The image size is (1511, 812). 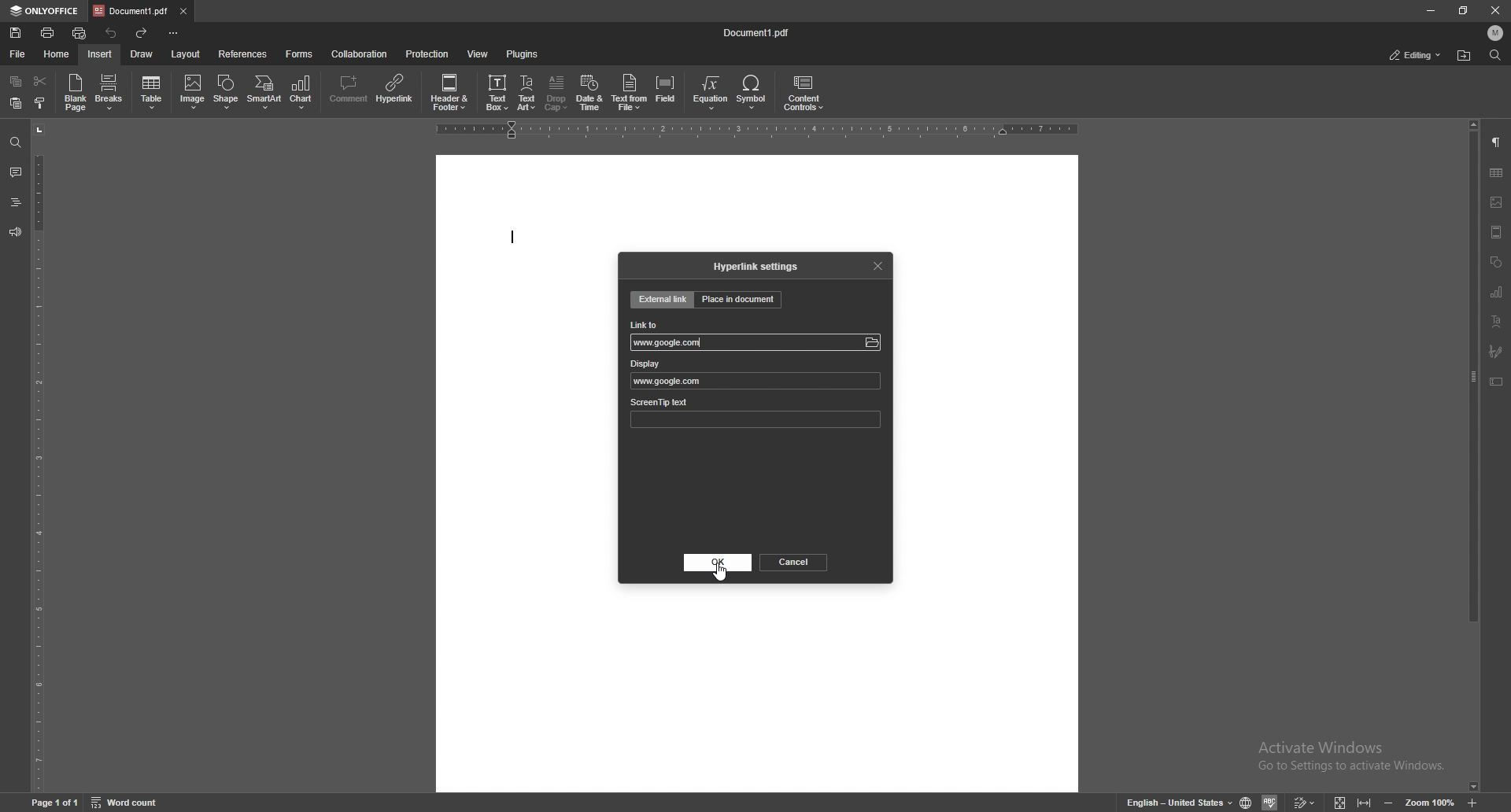 What do you see at coordinates (142, 32) in the screenshot?
I see `redo` at bounding box center [142, 32].